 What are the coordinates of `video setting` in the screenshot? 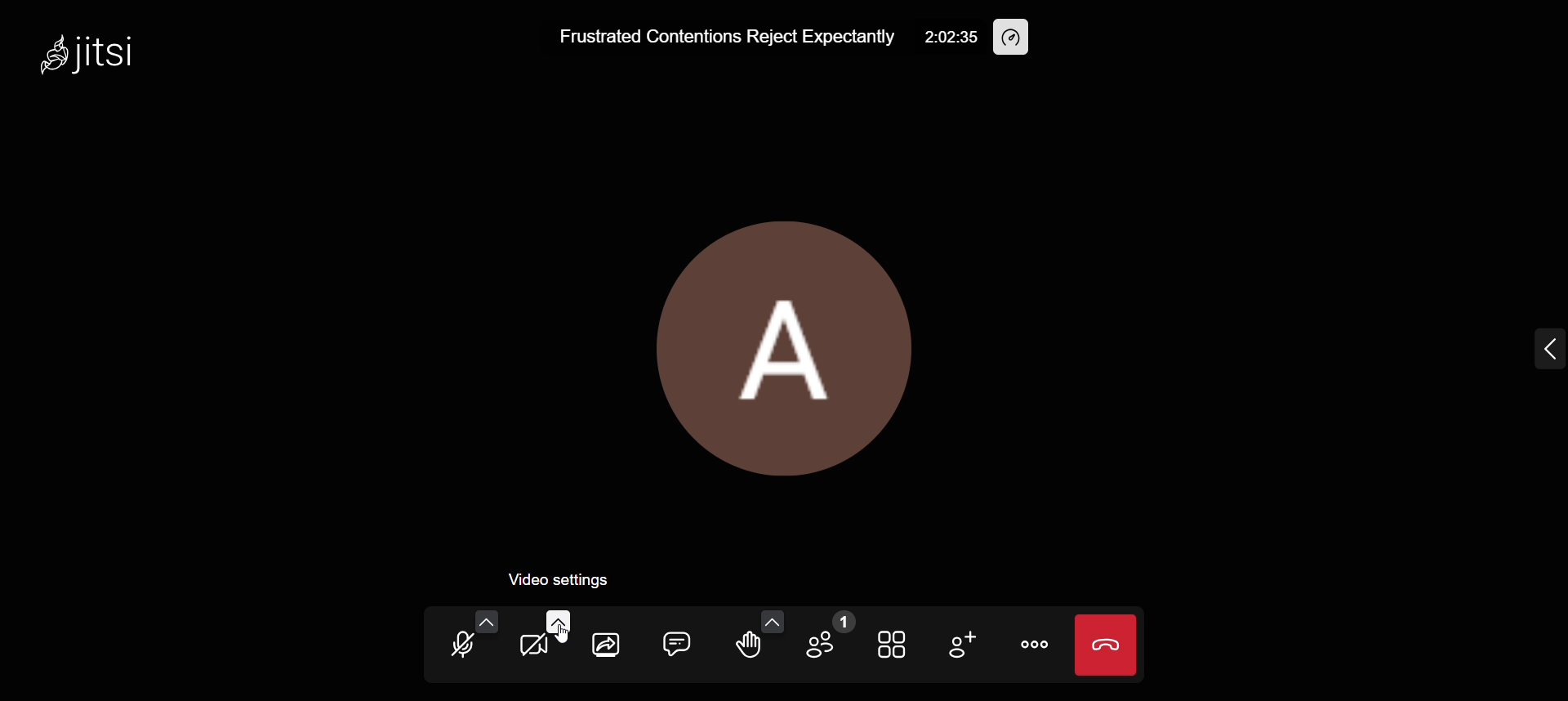 It's located at (569, 578).